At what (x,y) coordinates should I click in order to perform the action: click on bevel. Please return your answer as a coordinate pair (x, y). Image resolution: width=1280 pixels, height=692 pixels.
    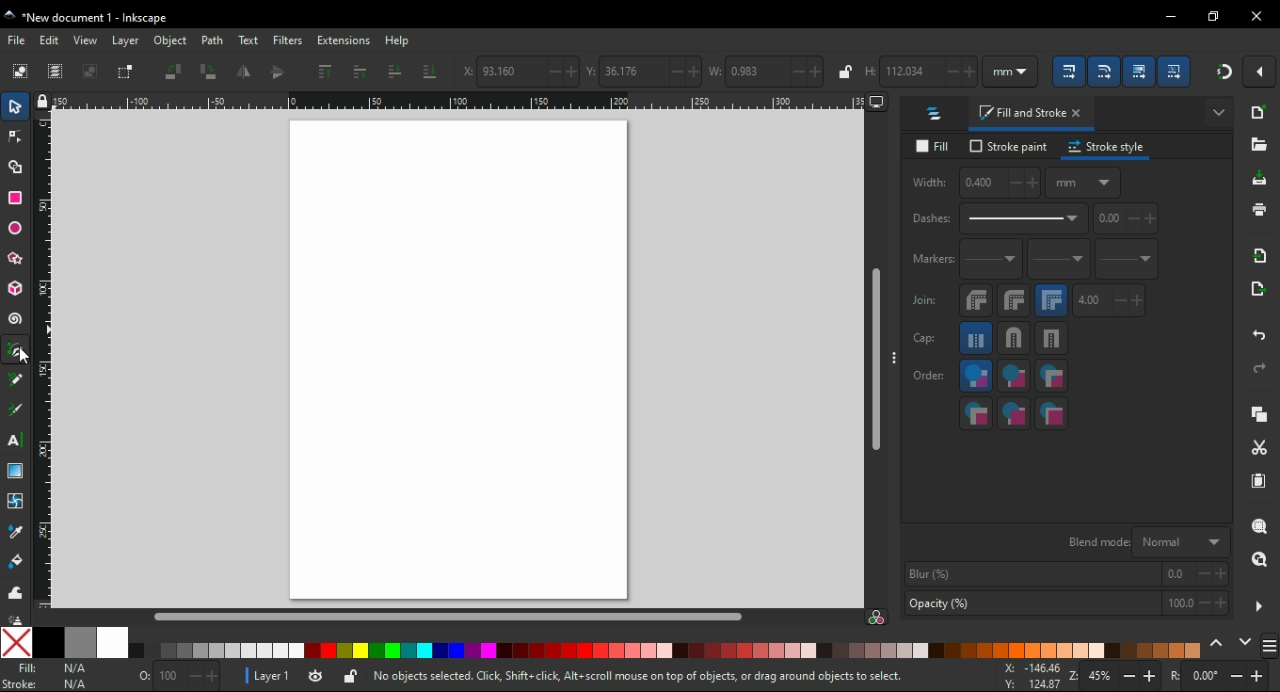
    Looking at the image, I should click on (977, 301).